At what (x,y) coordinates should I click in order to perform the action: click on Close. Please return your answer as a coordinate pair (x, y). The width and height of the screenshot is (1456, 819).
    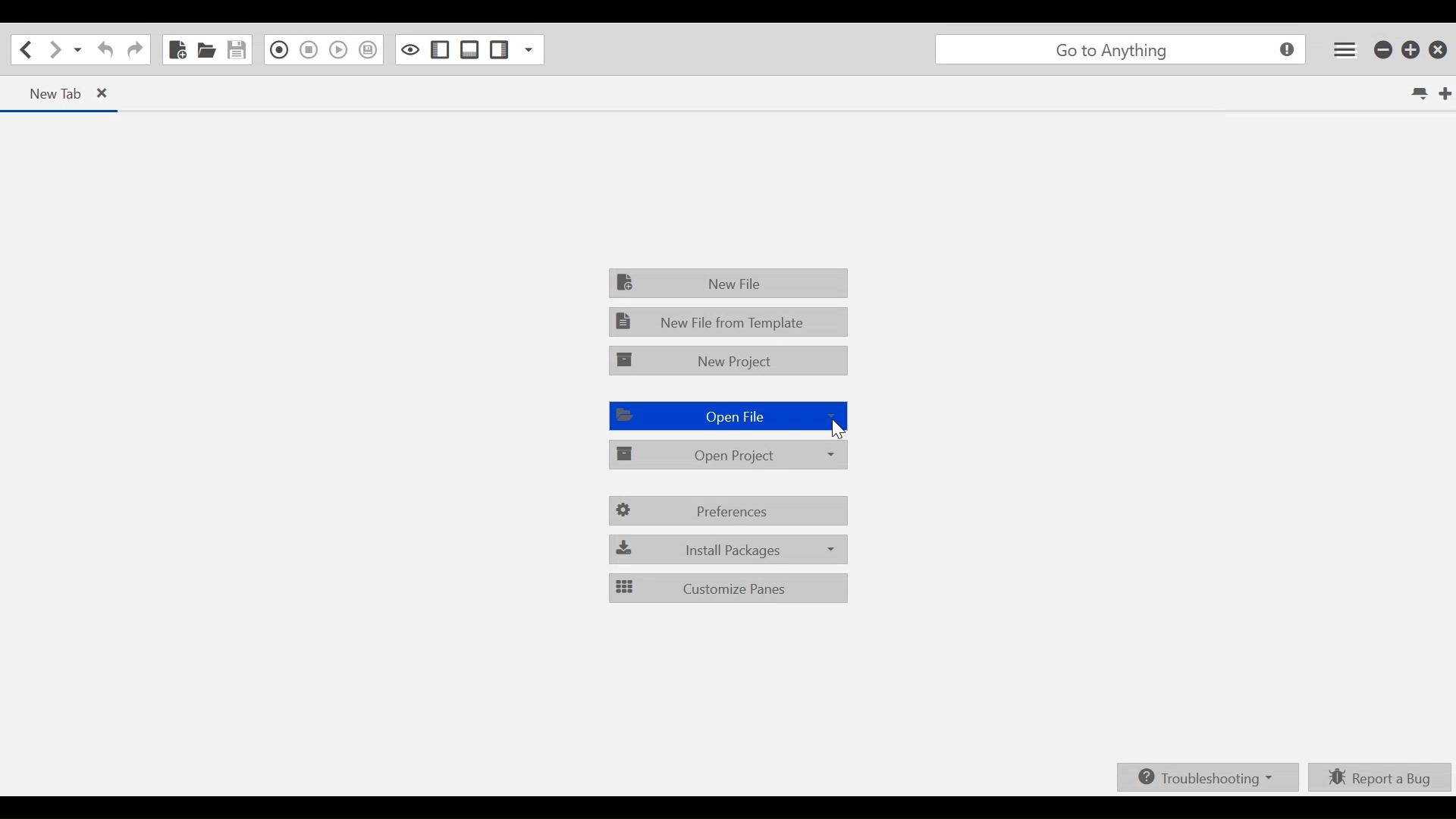
    Looking at the image, I should click on (1439, 50).